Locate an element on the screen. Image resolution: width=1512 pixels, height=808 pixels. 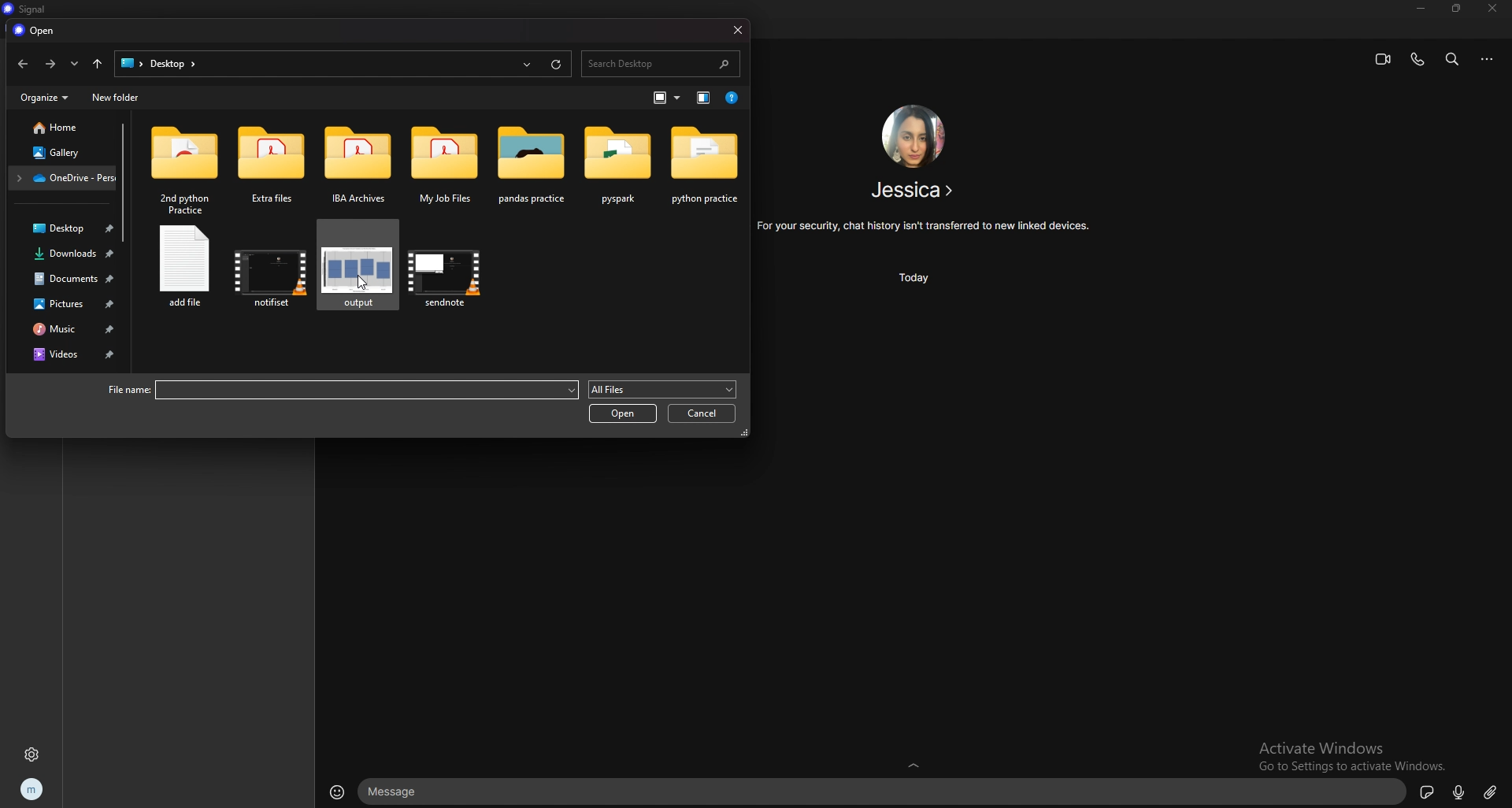
folder is located at coordinates (183, 169).